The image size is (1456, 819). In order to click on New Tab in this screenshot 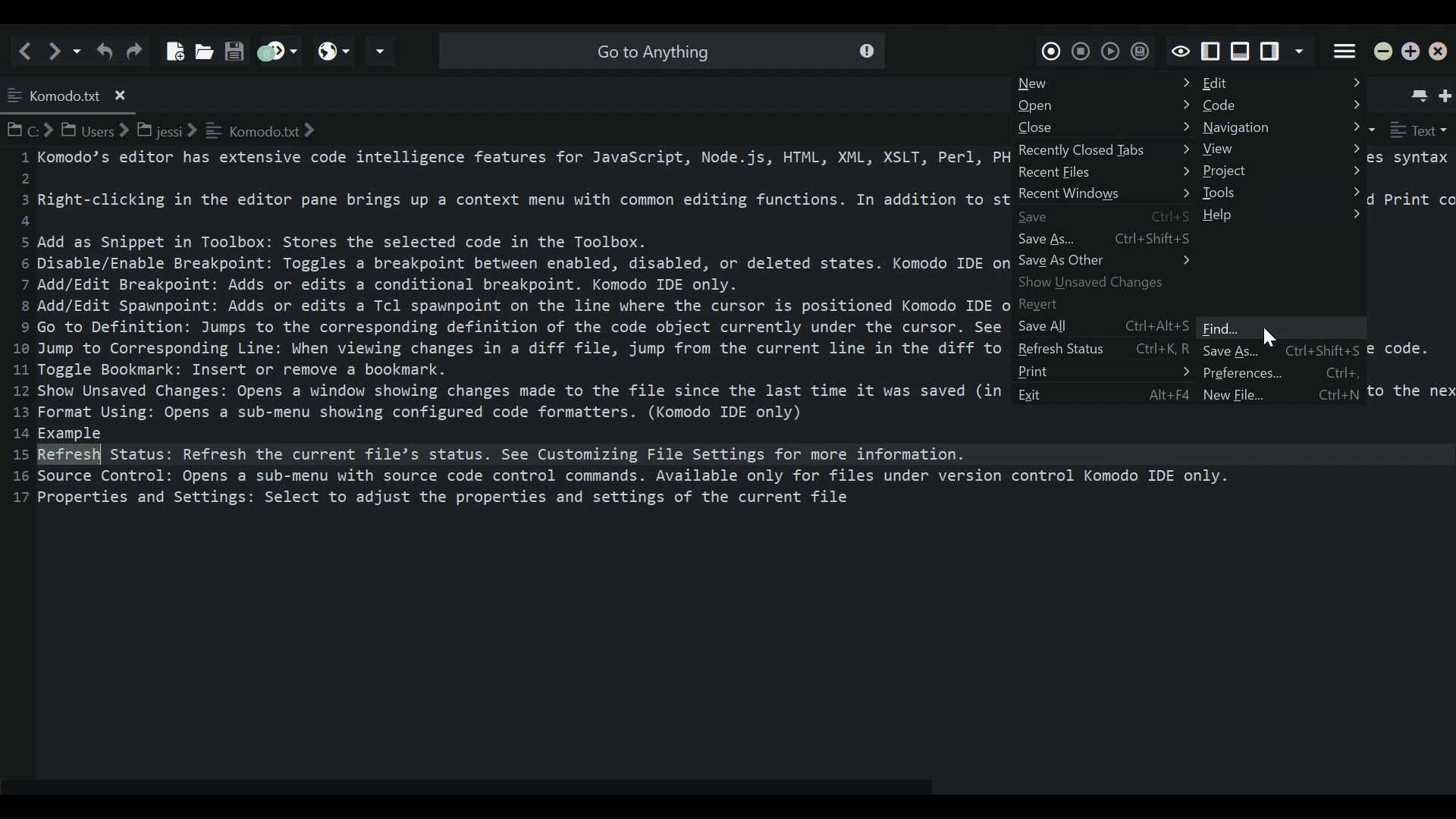, I will do `click(1447, 93)`.